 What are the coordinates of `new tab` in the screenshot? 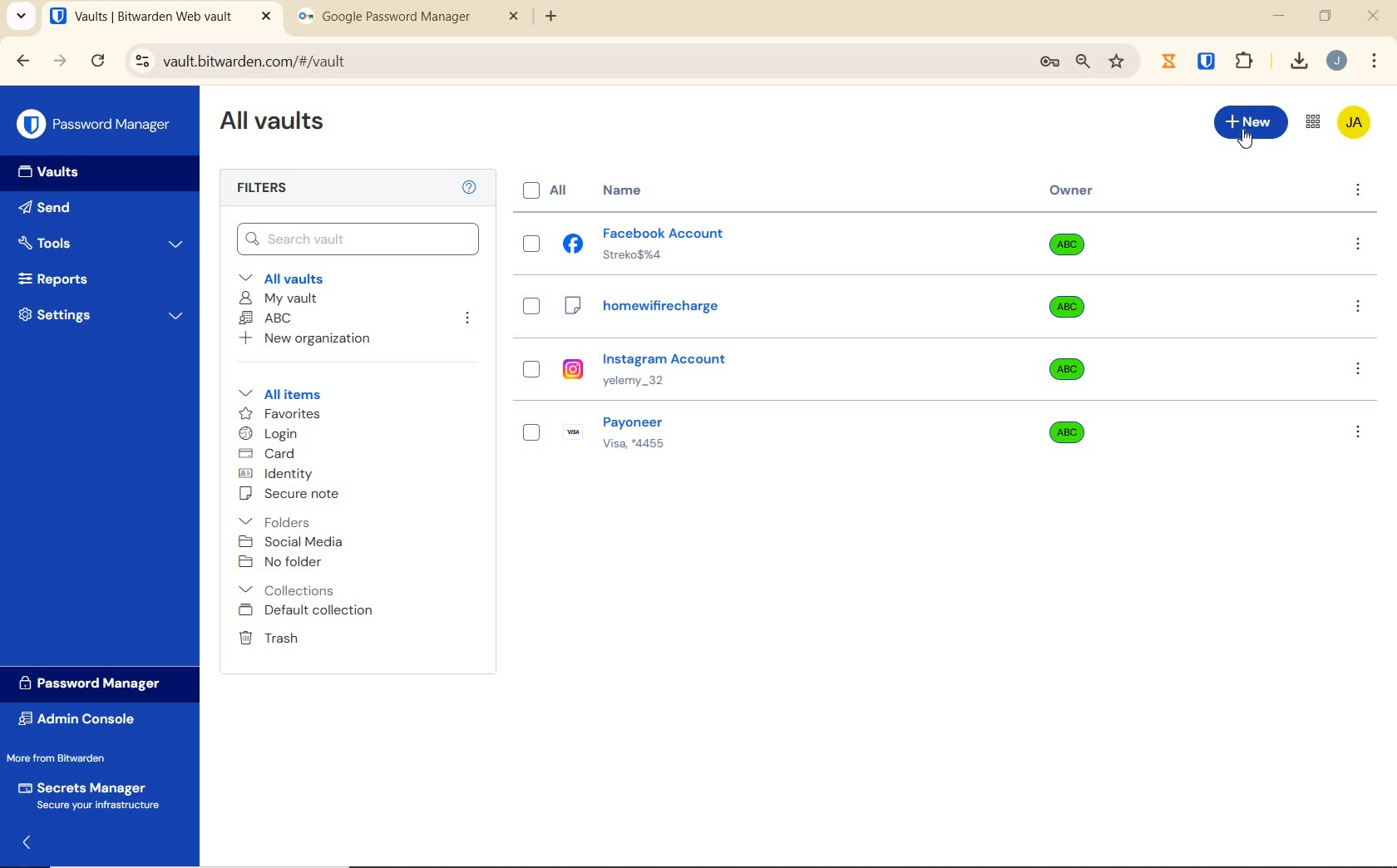 It's located at (554, 17).